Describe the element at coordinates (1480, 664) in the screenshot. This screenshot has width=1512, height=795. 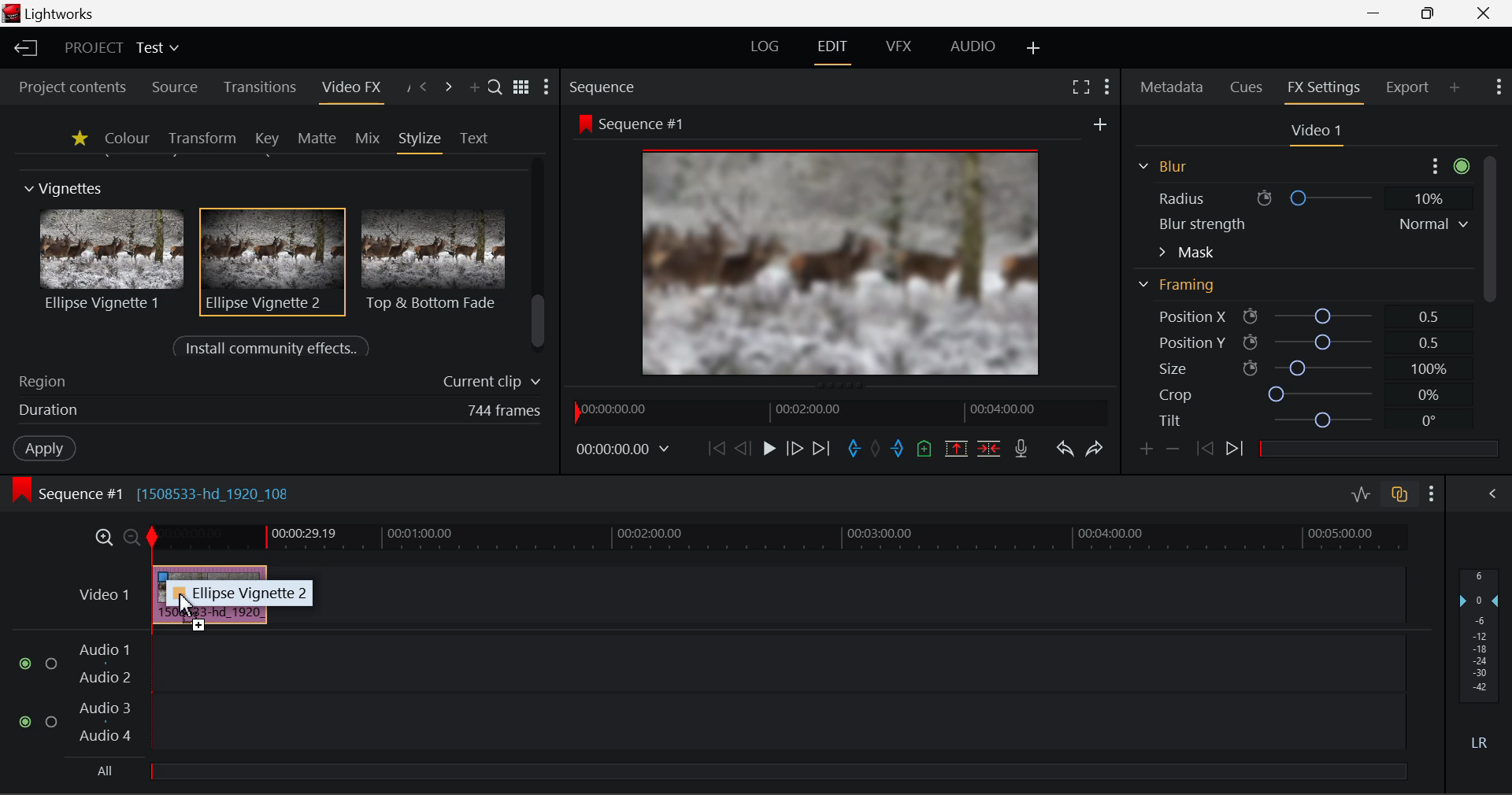
I see `Decibel Level` at that location.